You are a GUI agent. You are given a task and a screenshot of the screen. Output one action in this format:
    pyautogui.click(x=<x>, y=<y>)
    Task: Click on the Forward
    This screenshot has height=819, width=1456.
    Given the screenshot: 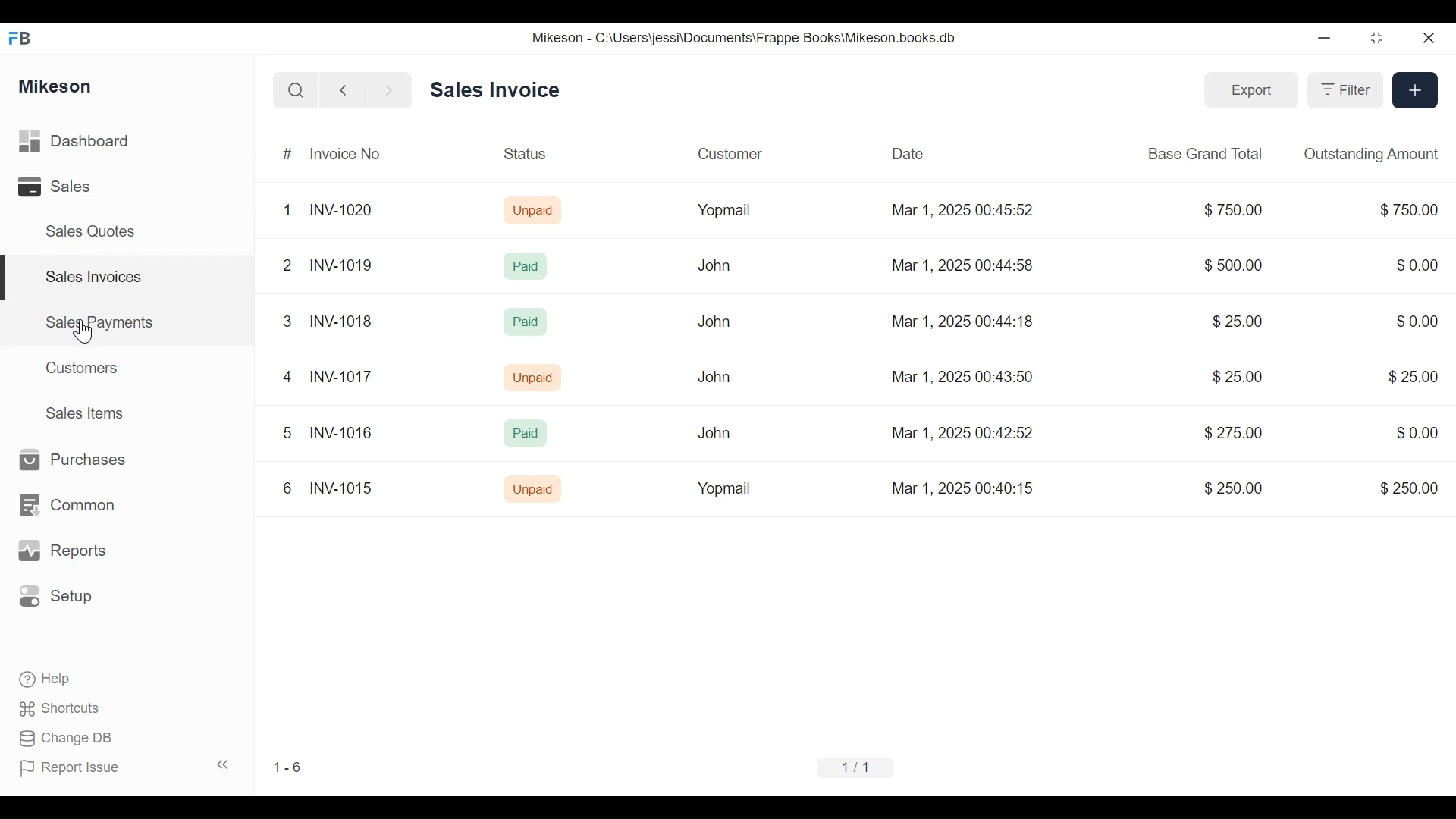 What is the action you would take?
    pyautogui.click(x=394, y=89)
    